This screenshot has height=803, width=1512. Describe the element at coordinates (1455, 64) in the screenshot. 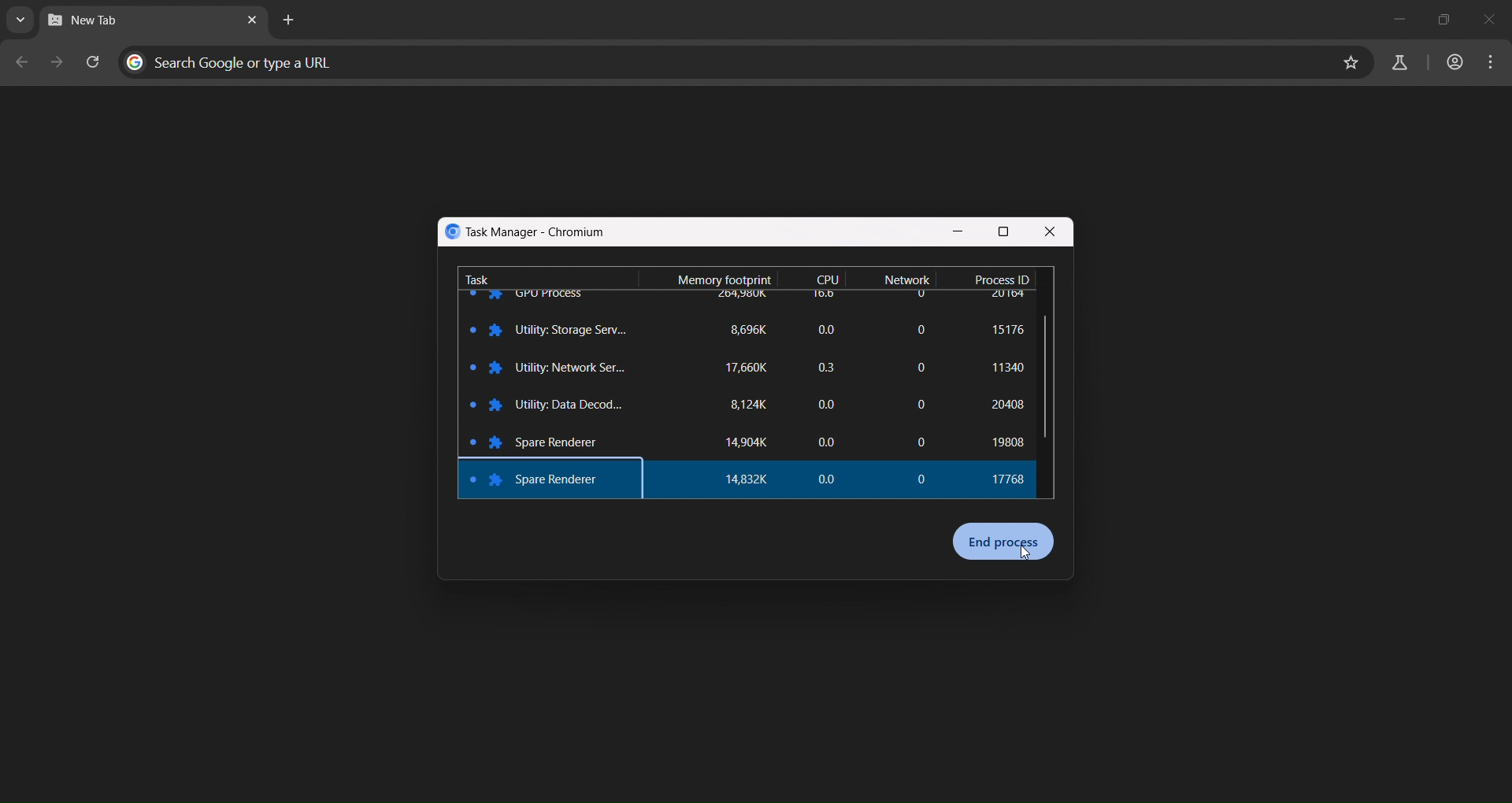

I see `account` at that location.